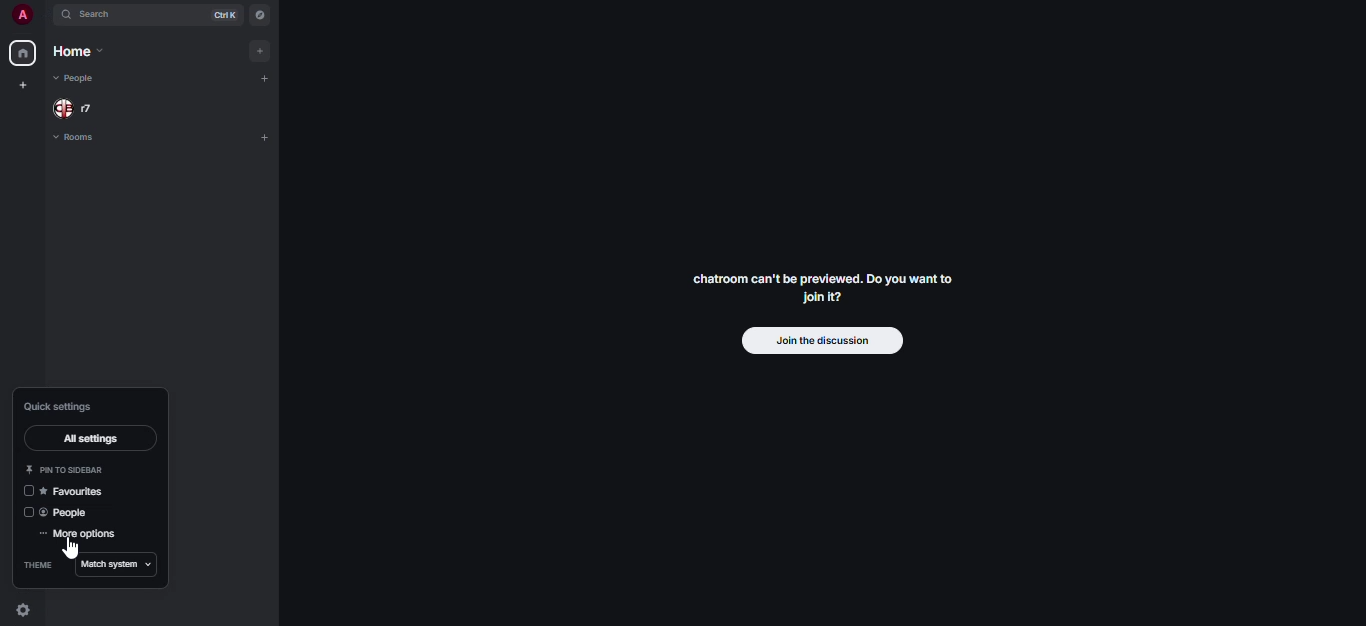  What do you see at coordinates (262, 14) in the screenshot?
I see `navigator` at bounding box center [262, 14].